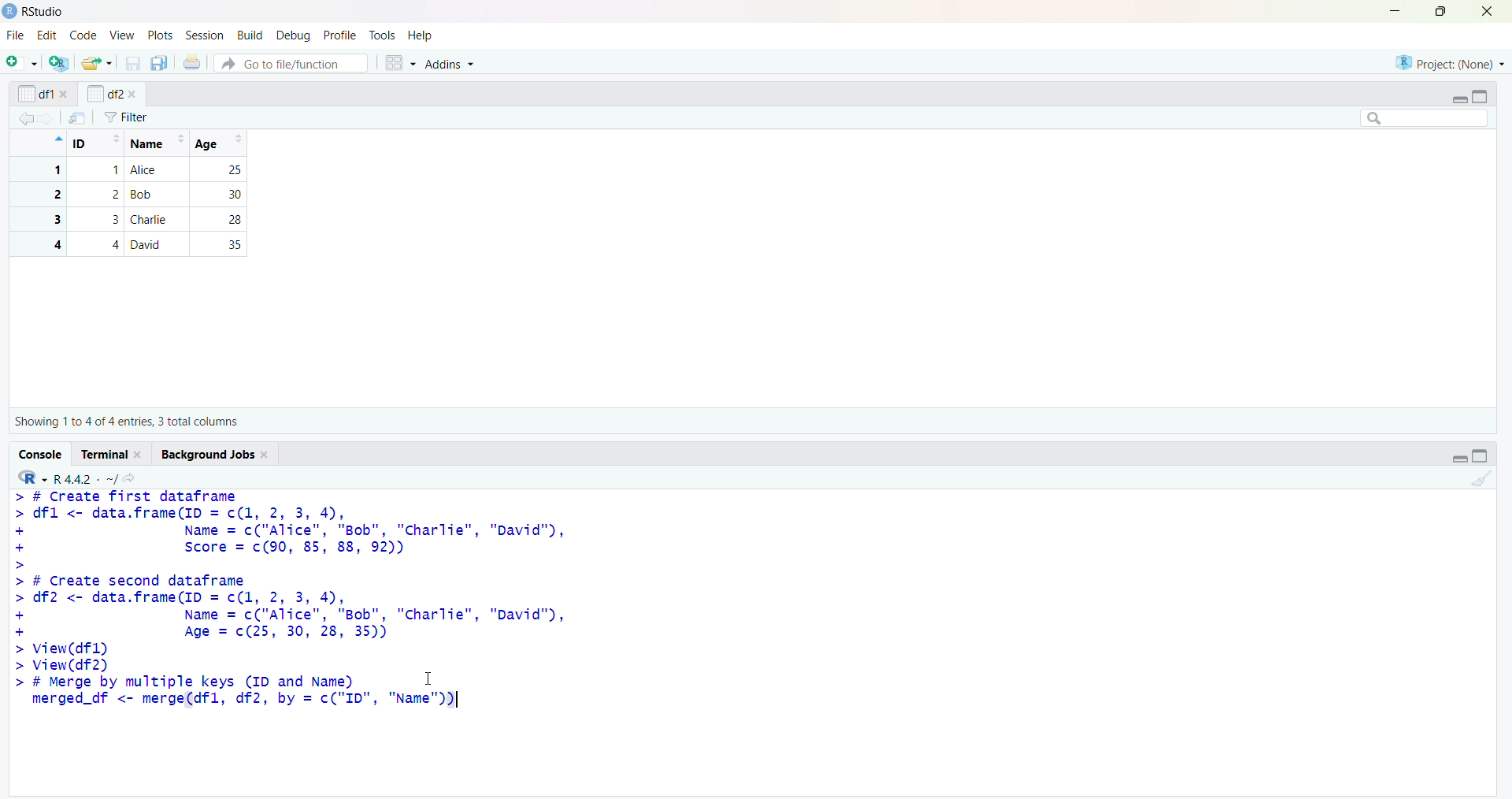 Image resolution: width=1512 pixels, height=799 pixels. I want to click on Help, so click(420, 35).